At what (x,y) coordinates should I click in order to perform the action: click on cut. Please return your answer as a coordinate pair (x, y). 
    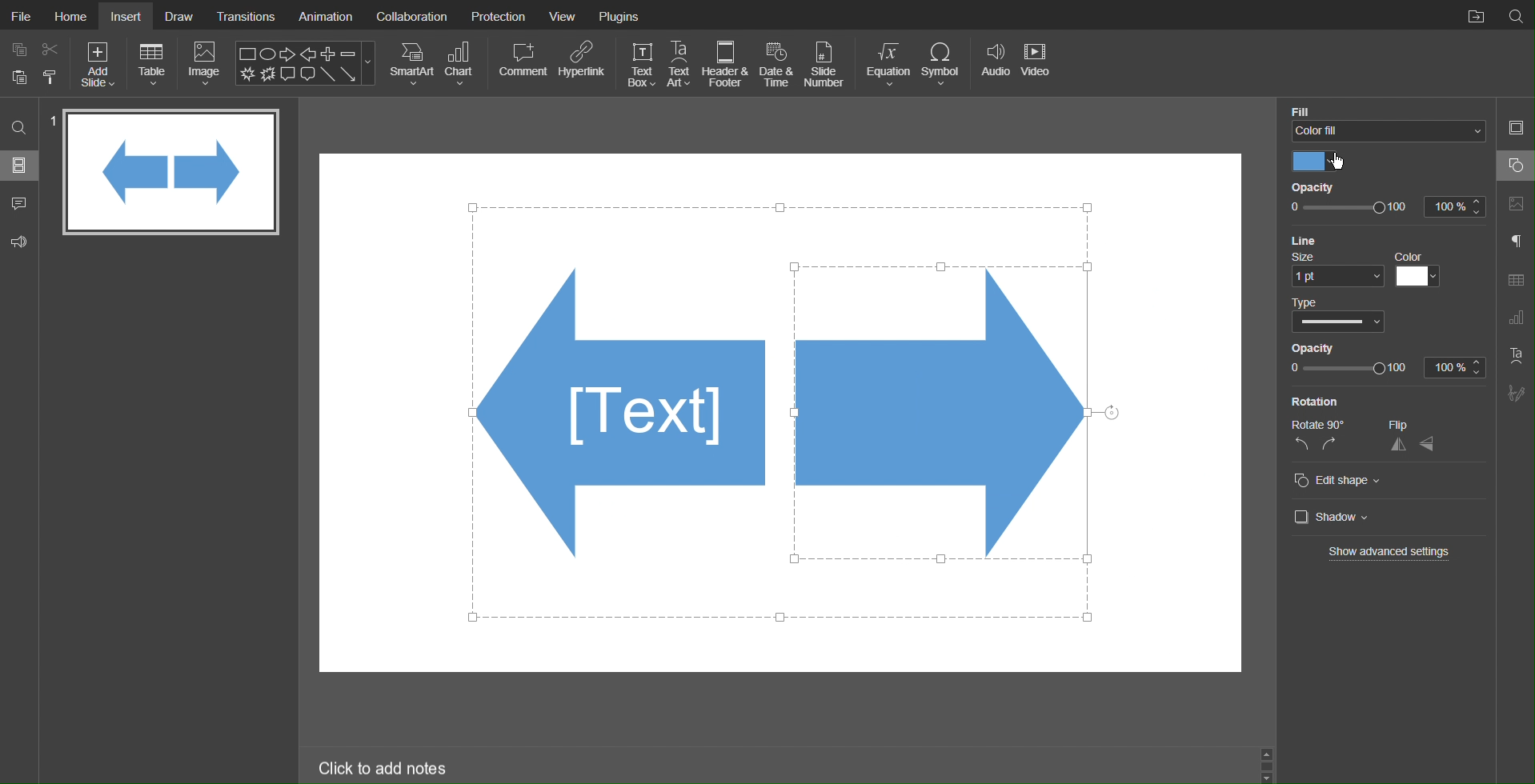
    Looking at the image, I should click on (51, 48).